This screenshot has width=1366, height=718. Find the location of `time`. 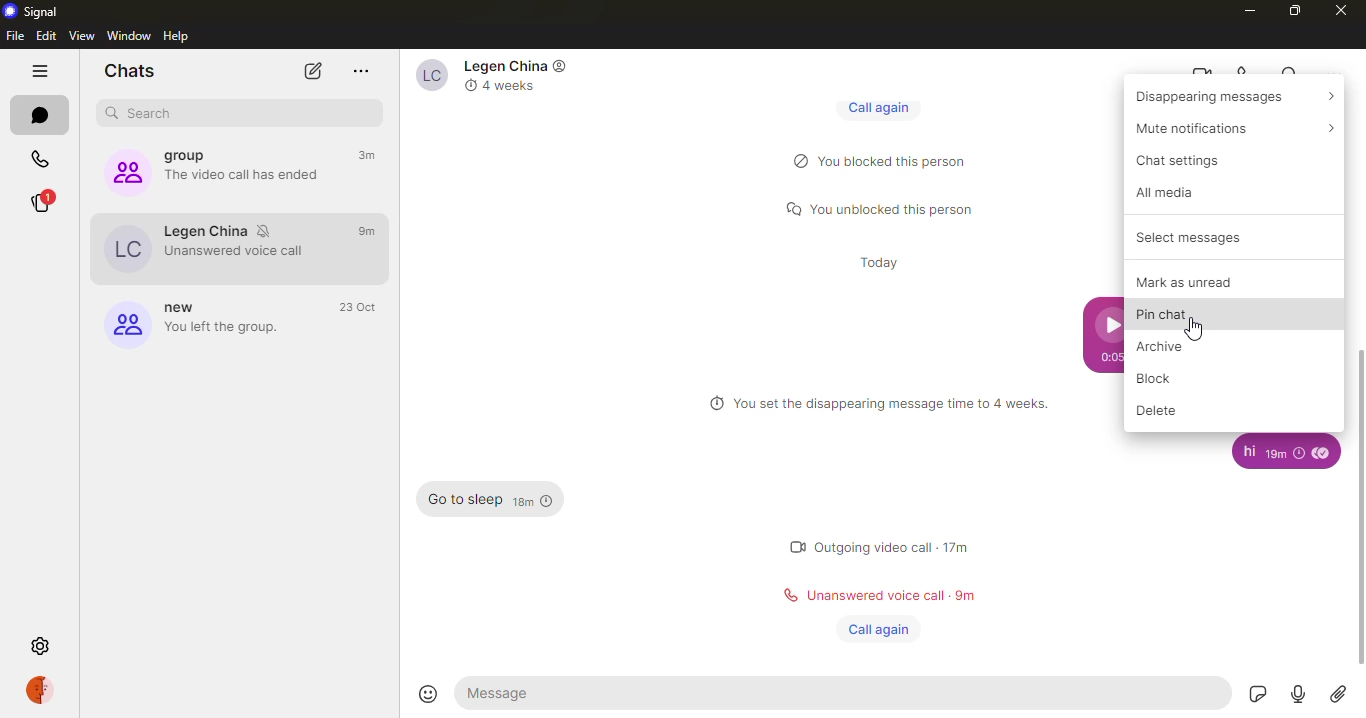

time is located at coordinates (960, 547).